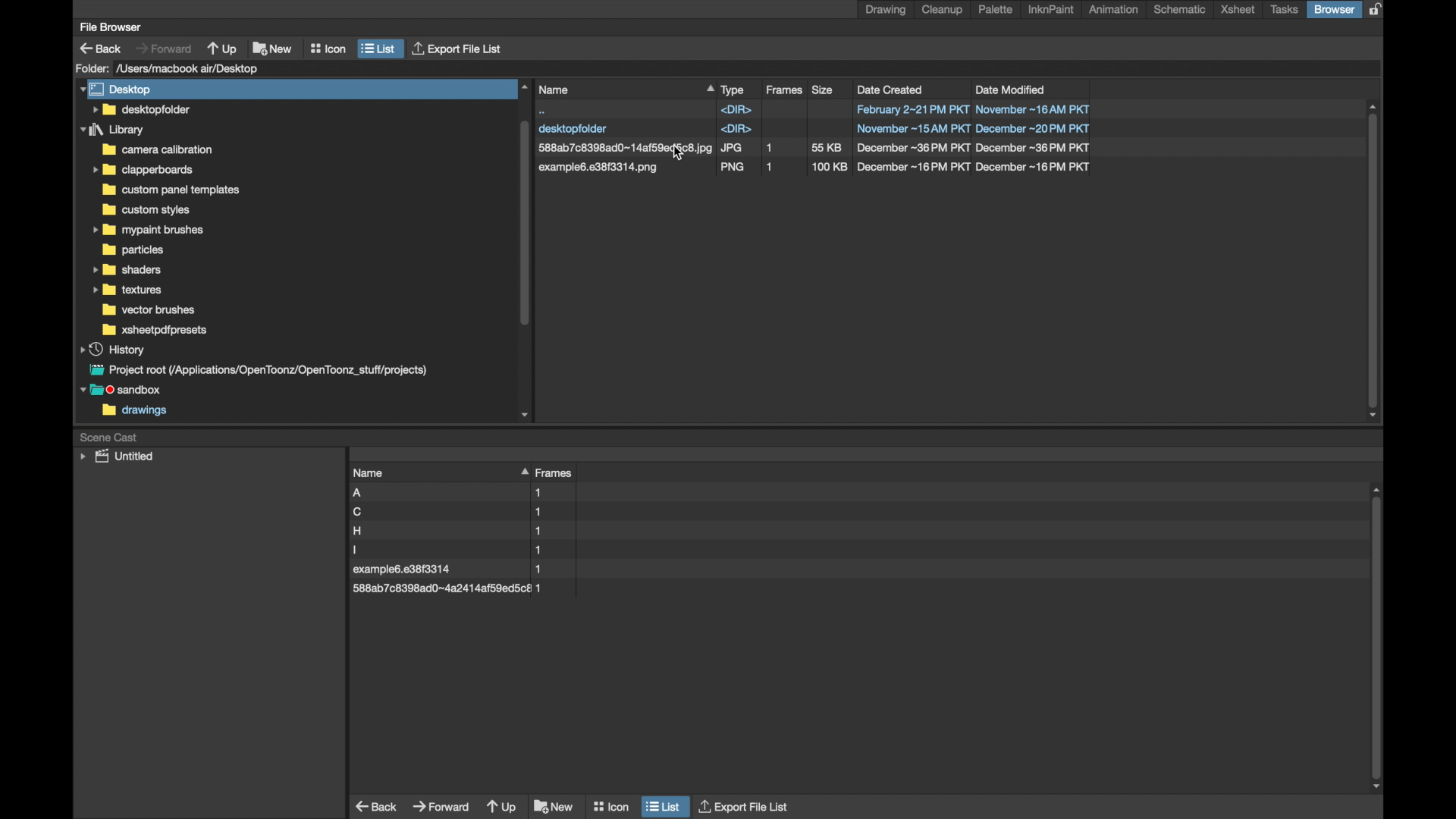 This screenshot has width=1456, height=819. Describe the element at coordinates (256, 370) in the screenshot. I see `project` at that location.